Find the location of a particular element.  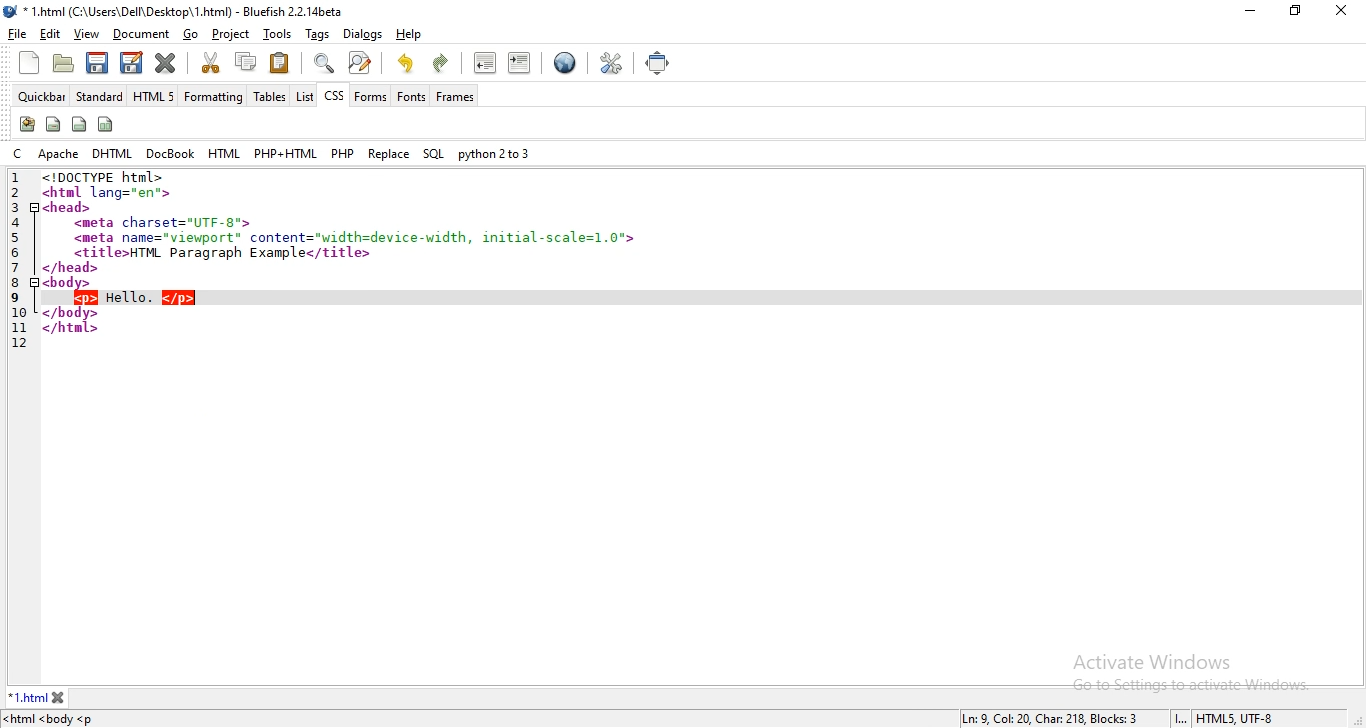

</head> is located at coordinates (72, 268).